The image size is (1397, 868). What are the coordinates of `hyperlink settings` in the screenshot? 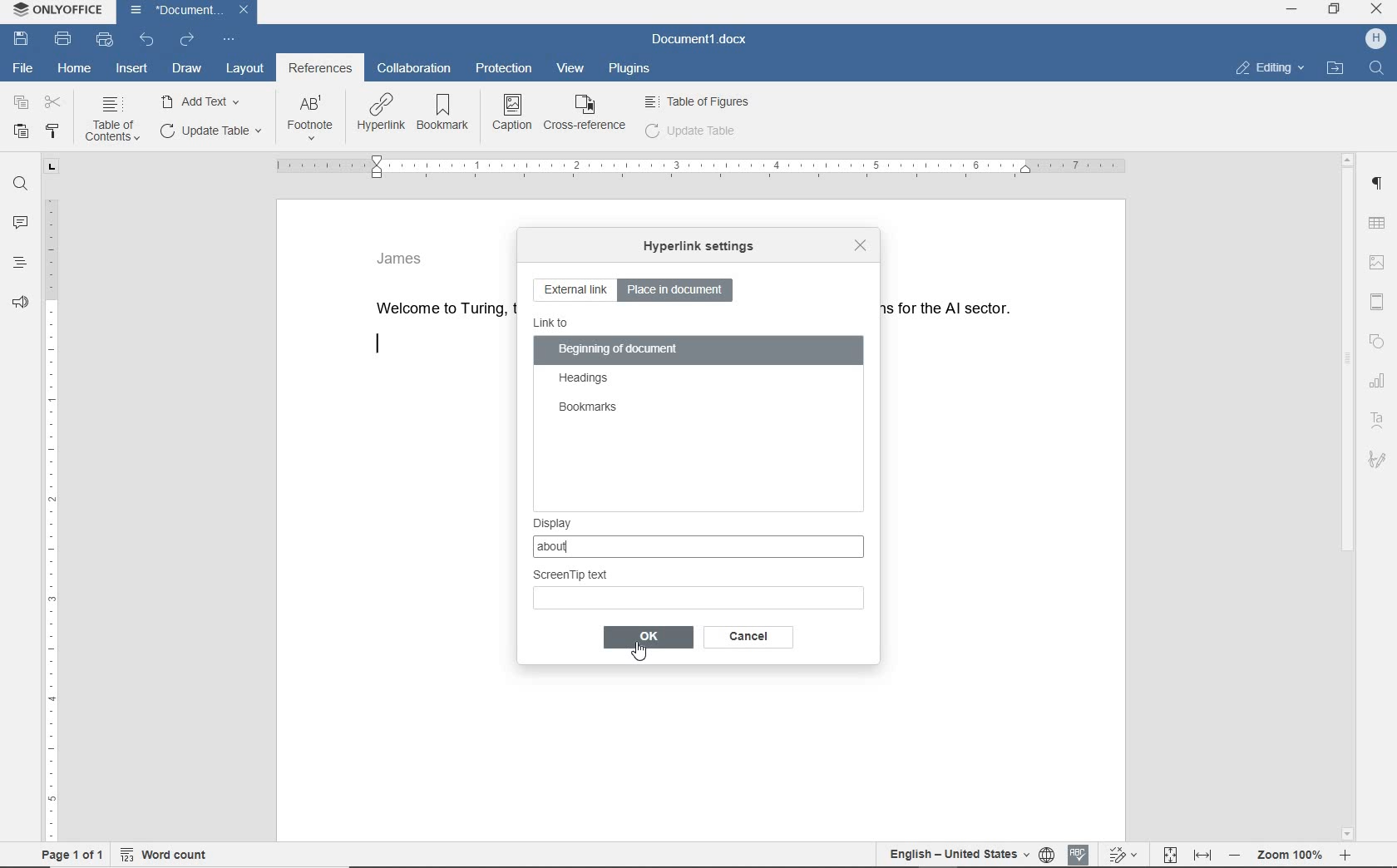 It's located at (698, 248).